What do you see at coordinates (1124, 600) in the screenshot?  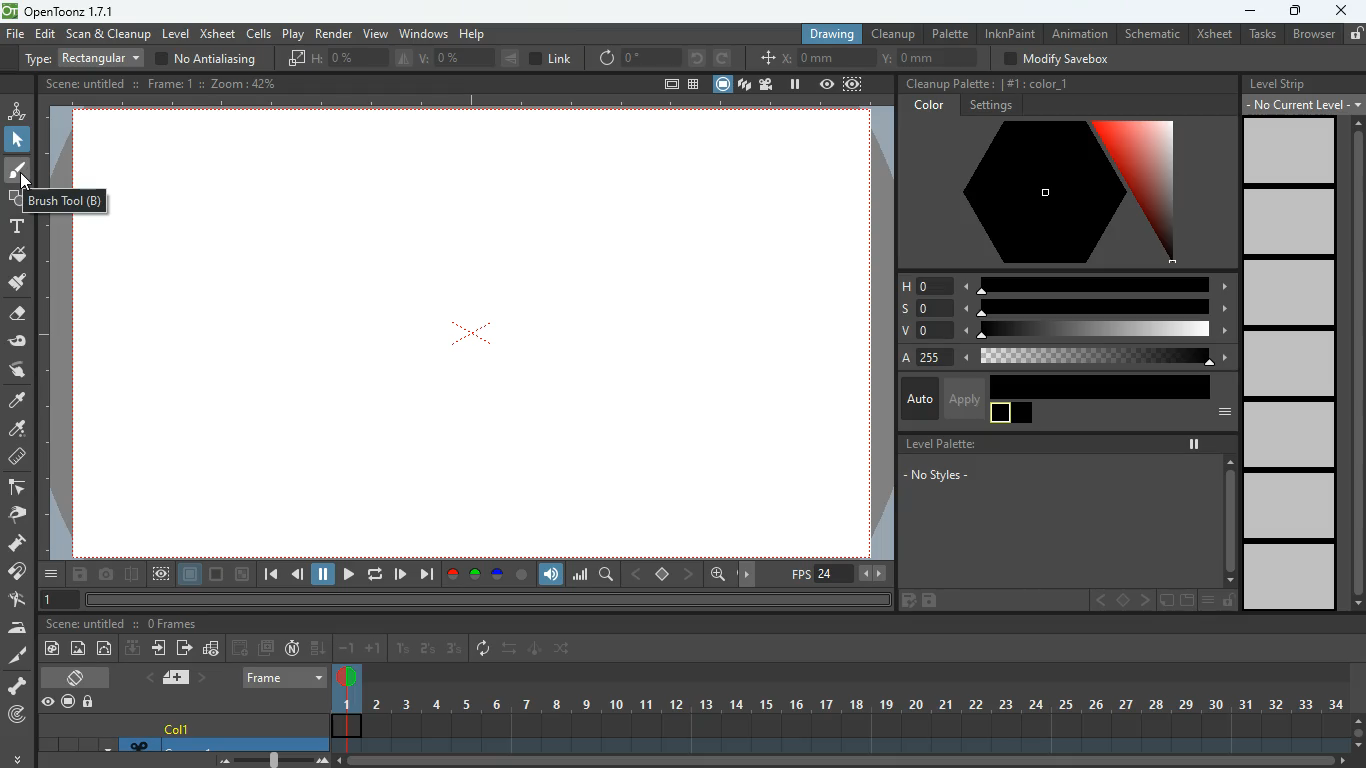 I see `middle` at bounding box center [1124, 600].